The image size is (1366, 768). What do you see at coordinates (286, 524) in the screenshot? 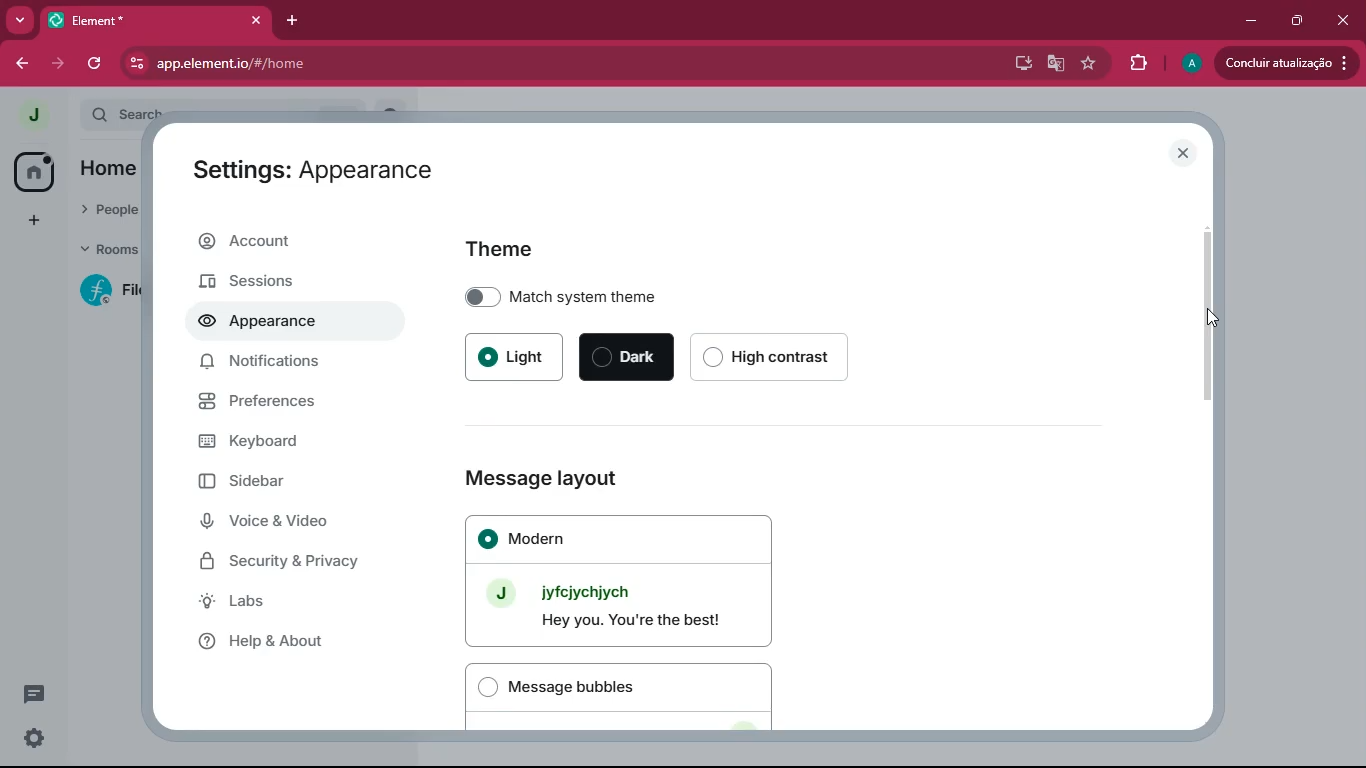
I see `voice` at bounding box center [286, 524].